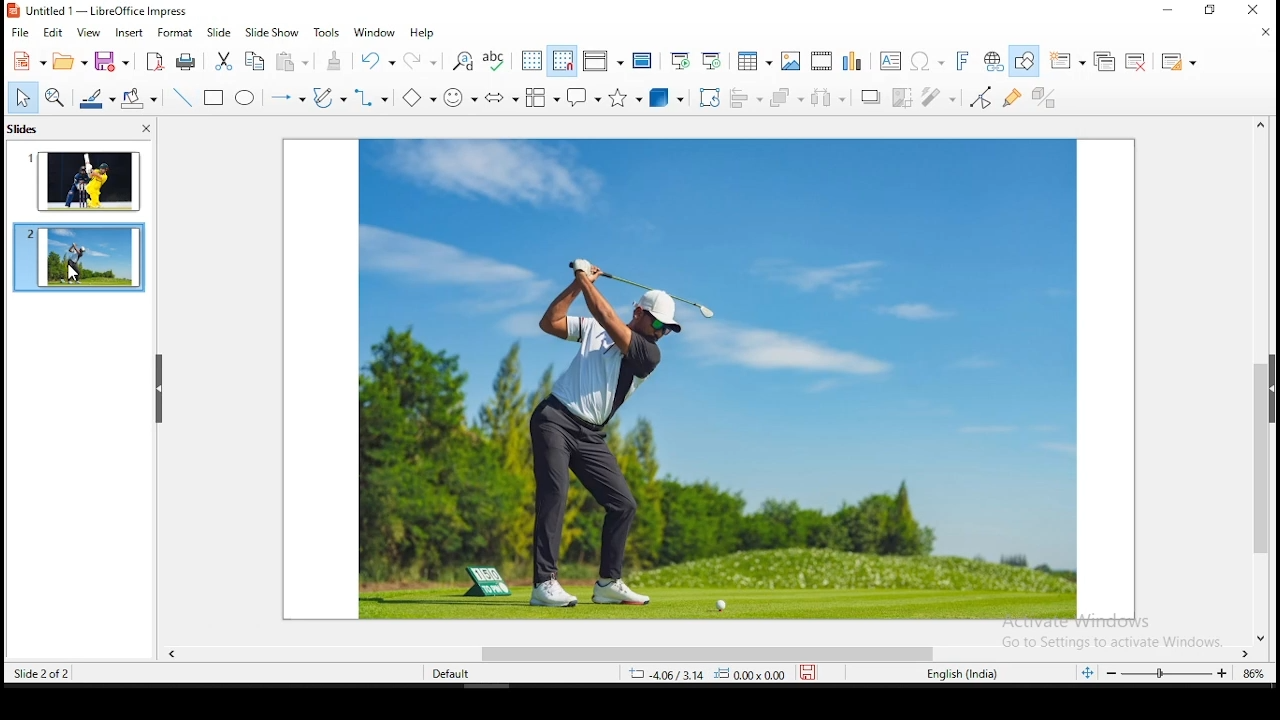 The height and width of the screenshot is (720, 1280). What do you see at coordinates (1177, 66) in the screenshot?
I see `slide layout` at bounding box center [1177, 66].